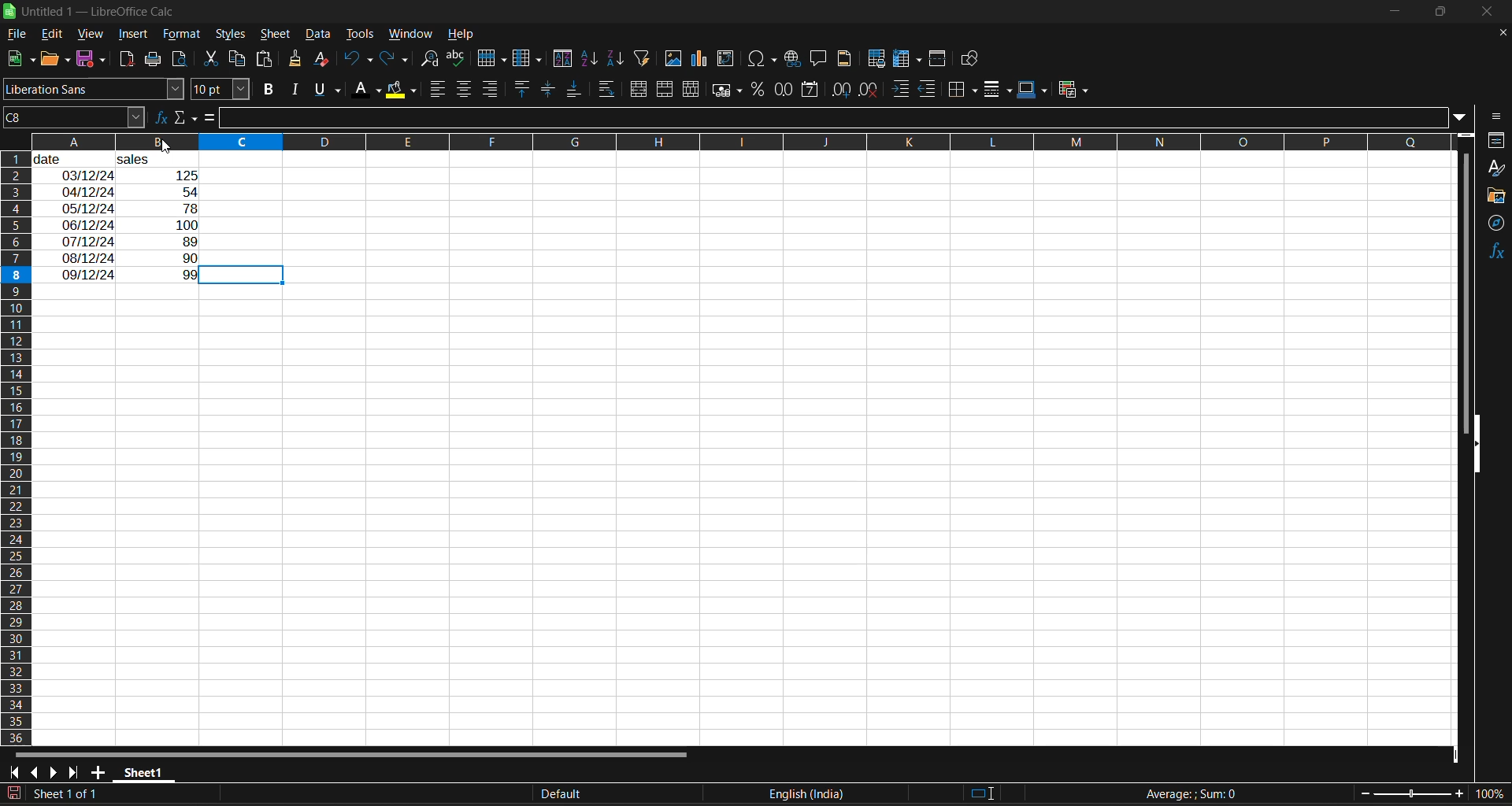  I want to click on undo, so click(358, 61).